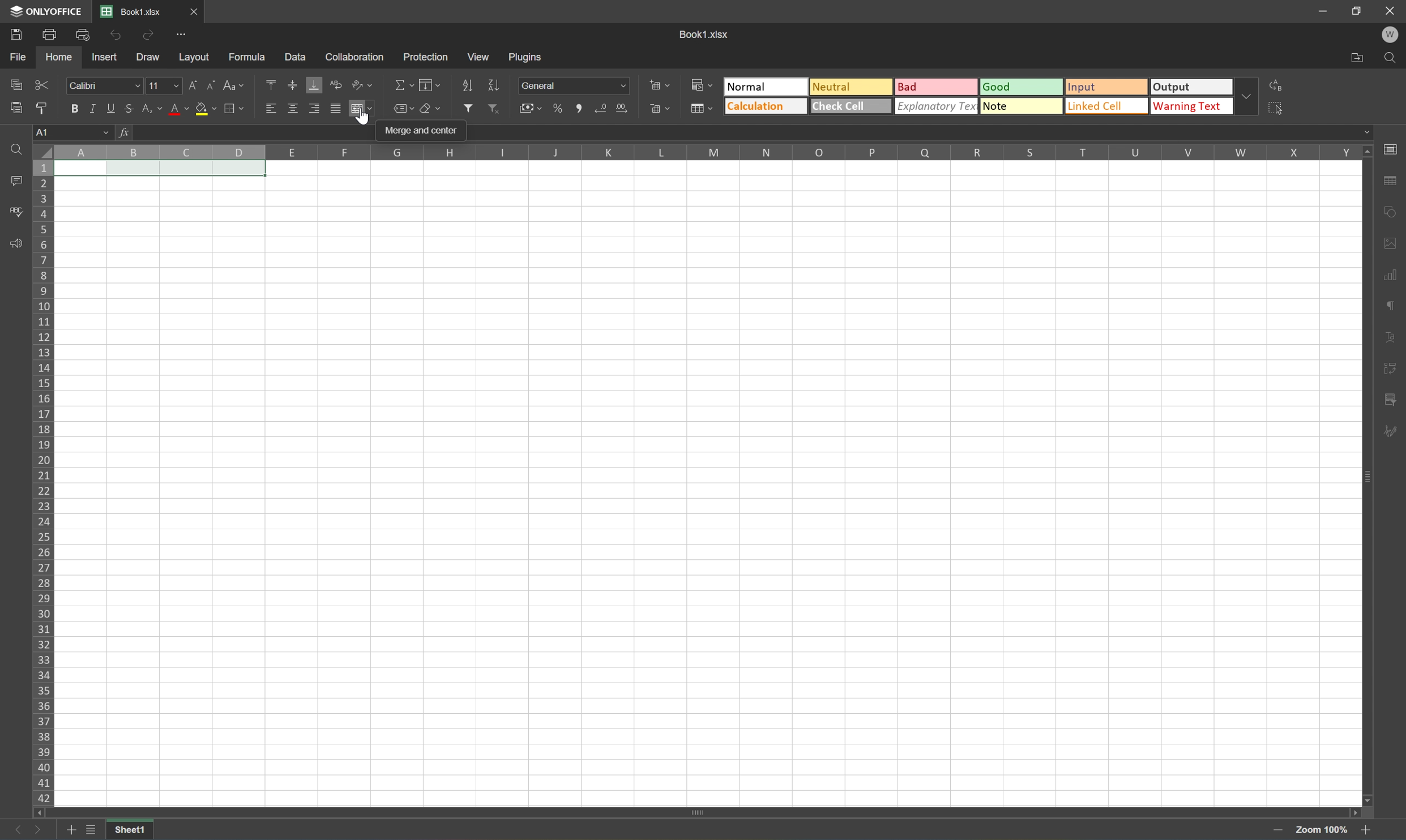 The image size is (1406, 840). I want to click on Select all, so click(1279, 110).